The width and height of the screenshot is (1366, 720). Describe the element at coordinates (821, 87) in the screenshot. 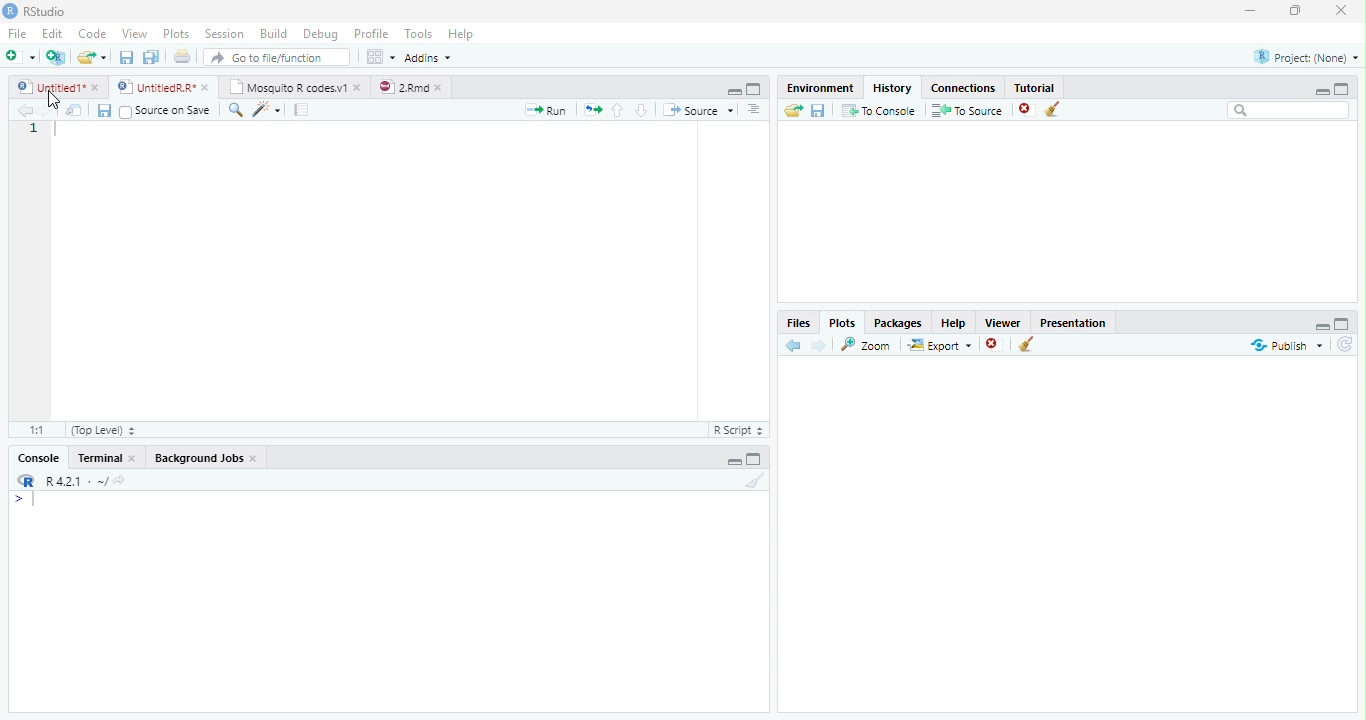

I see `Environment` at that location.